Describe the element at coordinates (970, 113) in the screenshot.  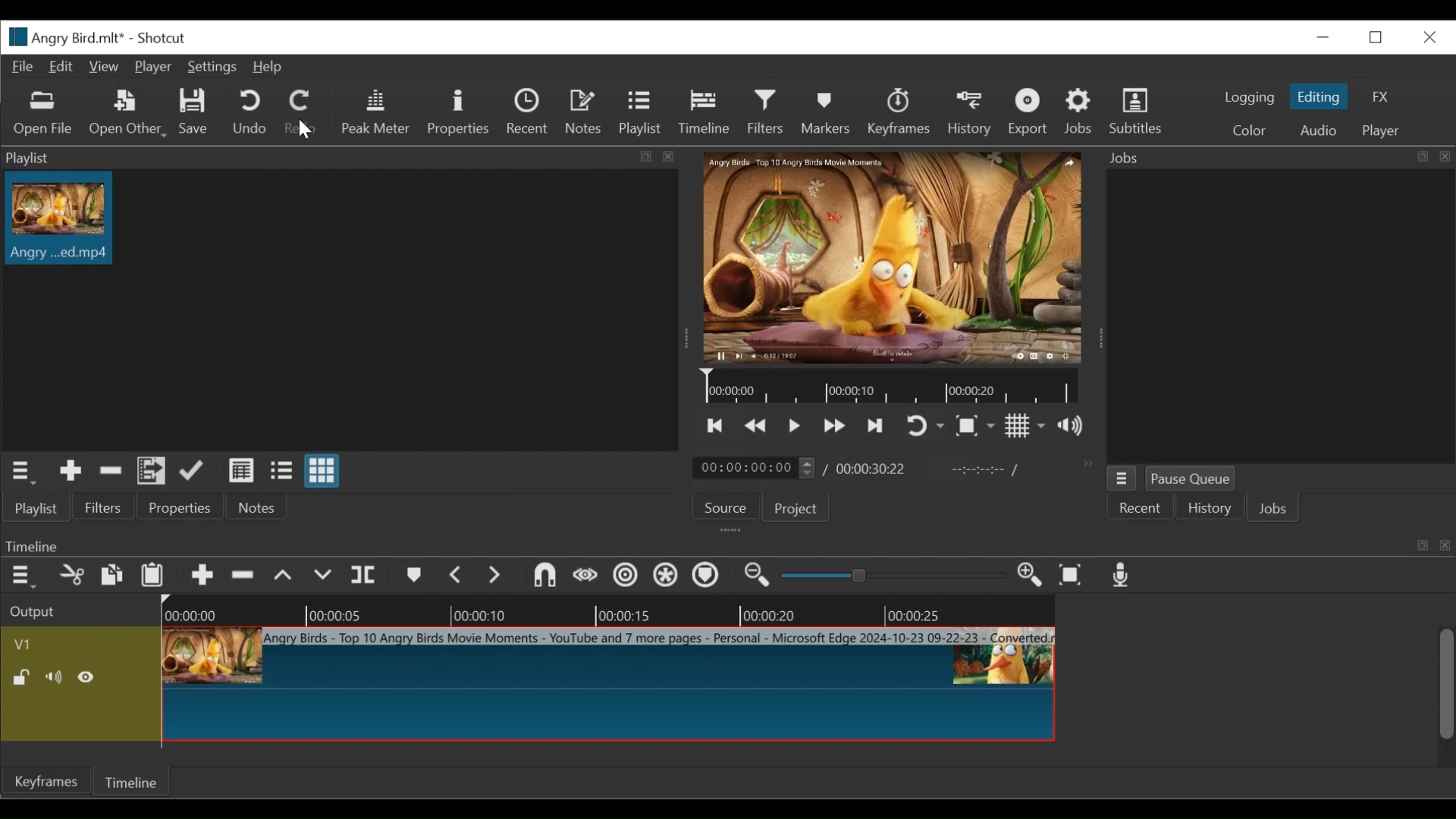
I see `History` at that location.